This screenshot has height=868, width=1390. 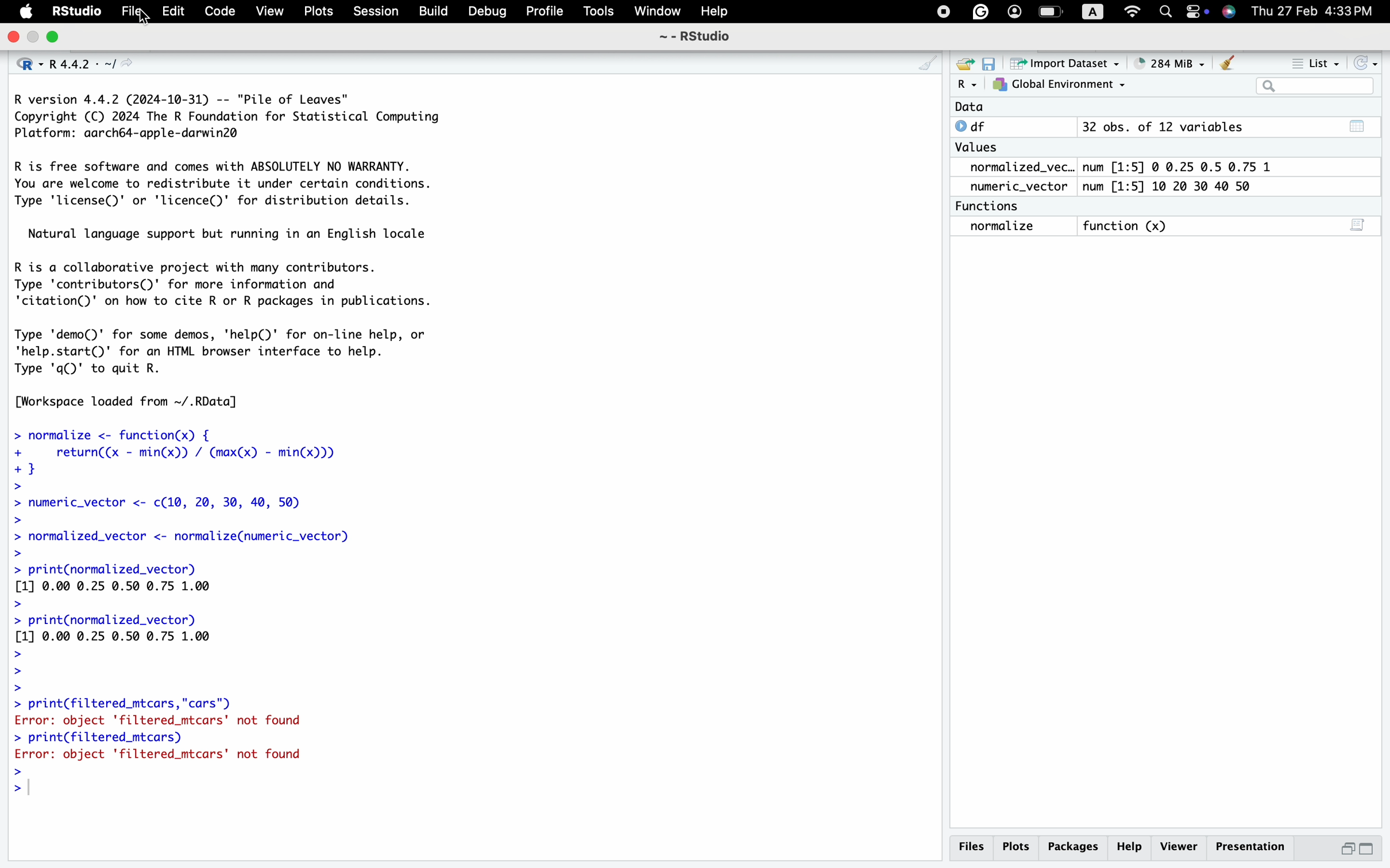 What do you see at coordinates (1076, 844) in the screenshot?
I see `packages` at bounding box center [1076, 844].